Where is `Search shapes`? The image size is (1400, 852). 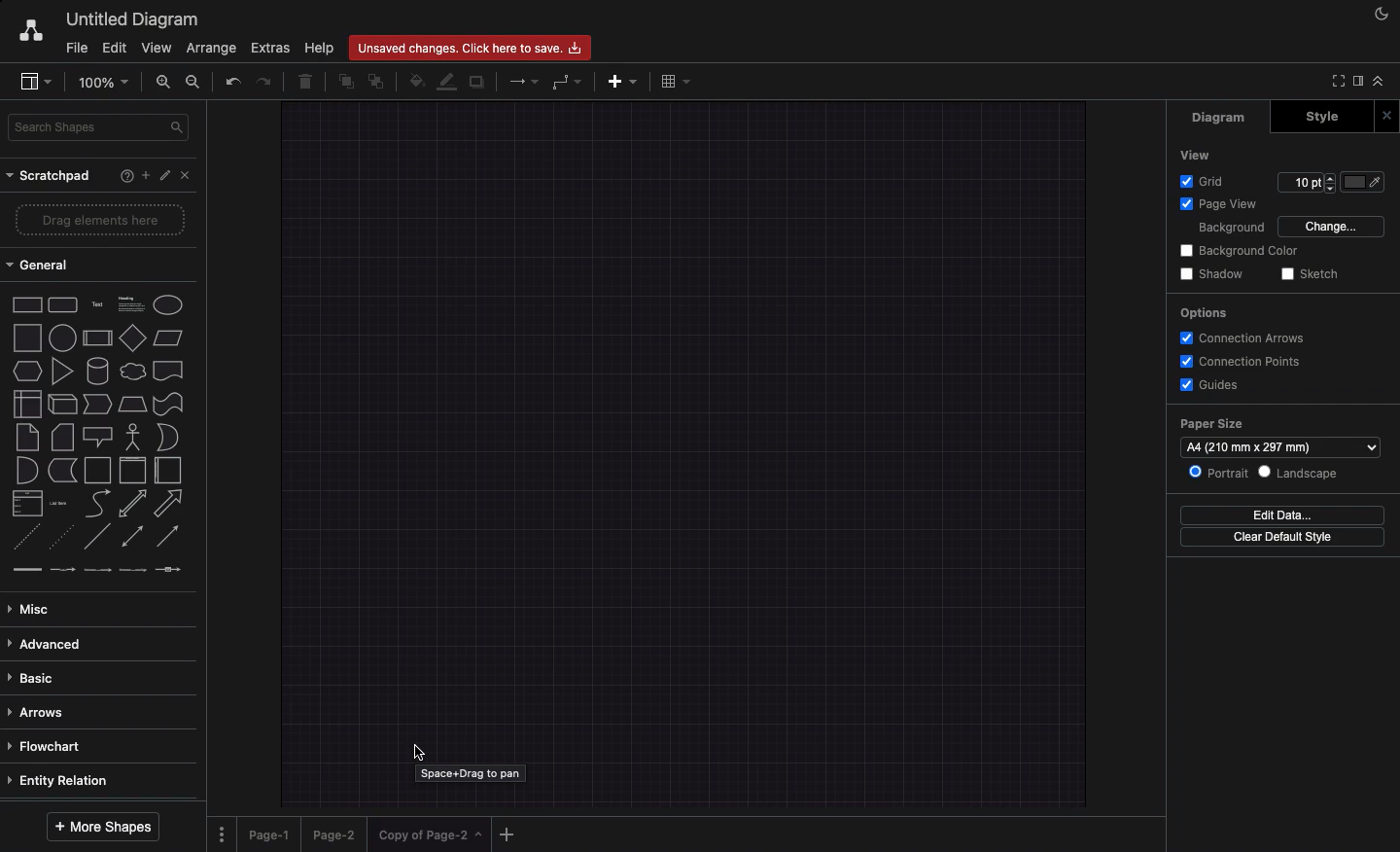
Search shapes is located at coordinates (103, 130).